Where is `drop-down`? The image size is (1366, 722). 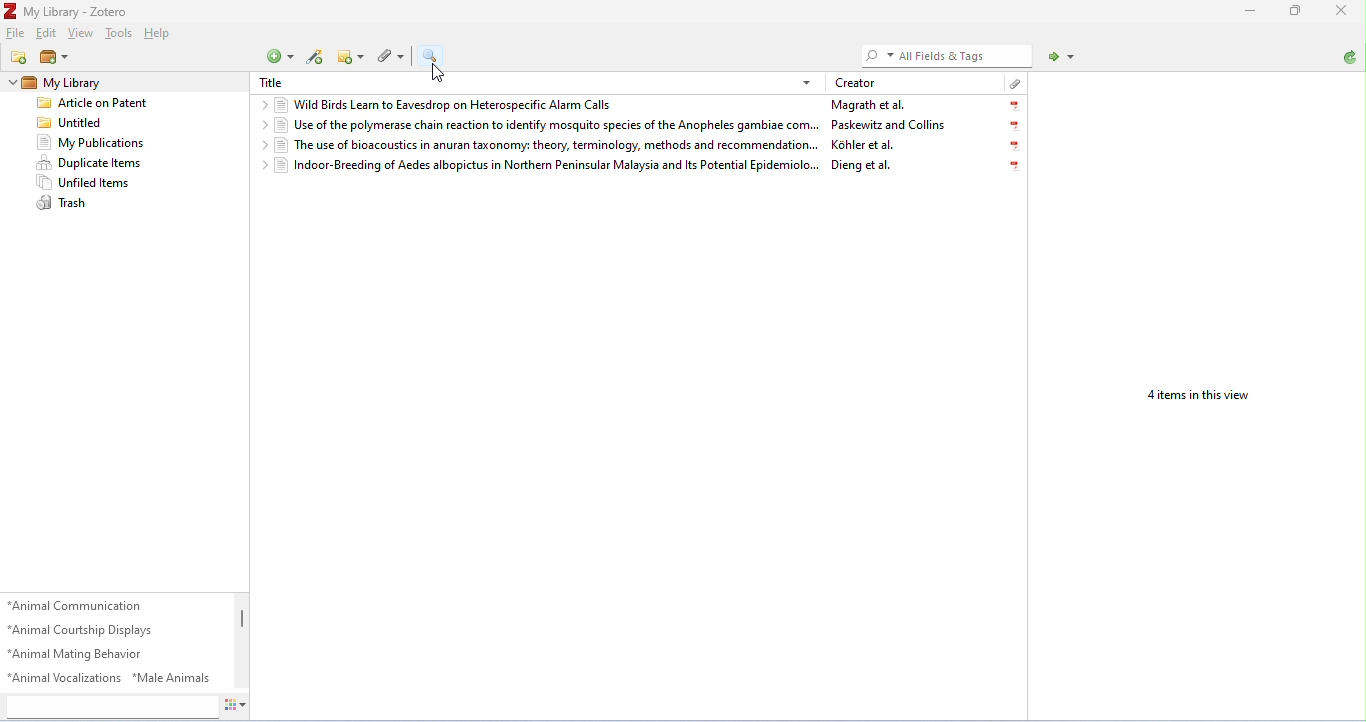 drop-down is located at coordinates (12, 82).